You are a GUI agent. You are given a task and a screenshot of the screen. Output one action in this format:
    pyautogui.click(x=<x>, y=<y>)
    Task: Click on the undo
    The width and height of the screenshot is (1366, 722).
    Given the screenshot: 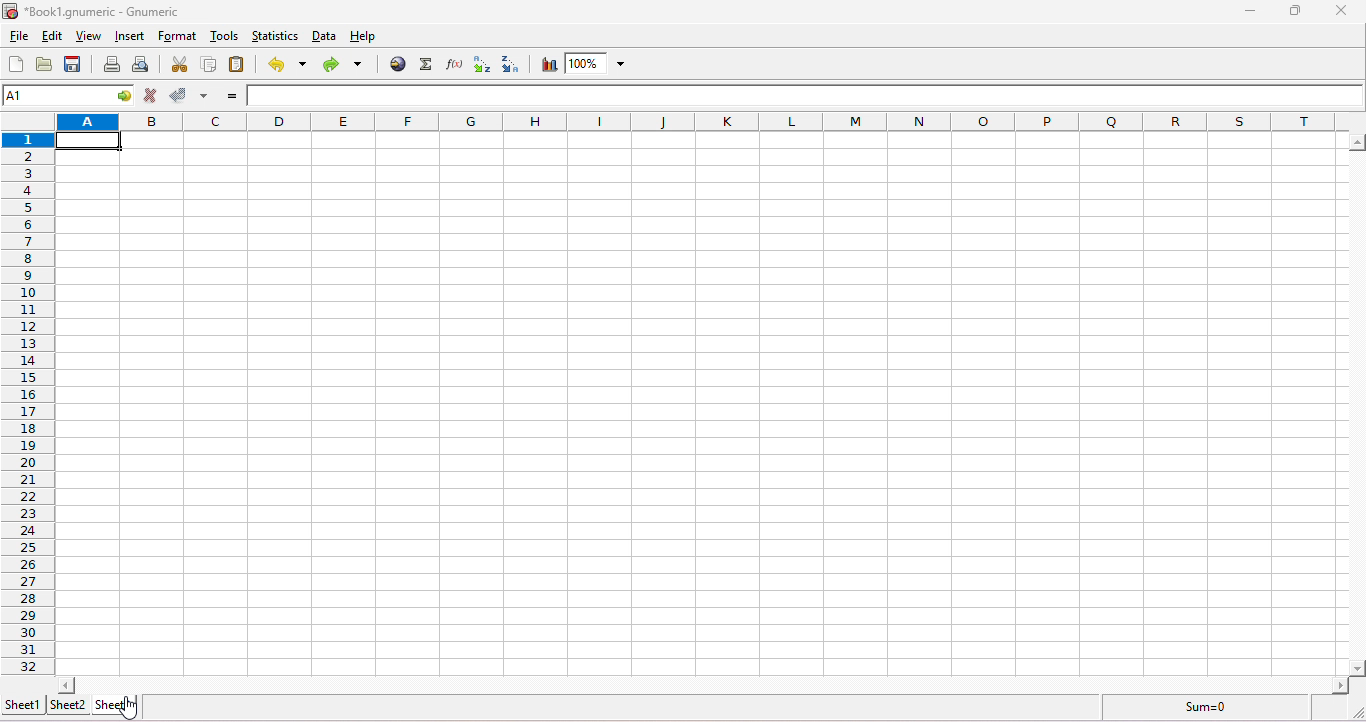 What is the action you would take?
    pyautogui.click(x=285, y=65)
    